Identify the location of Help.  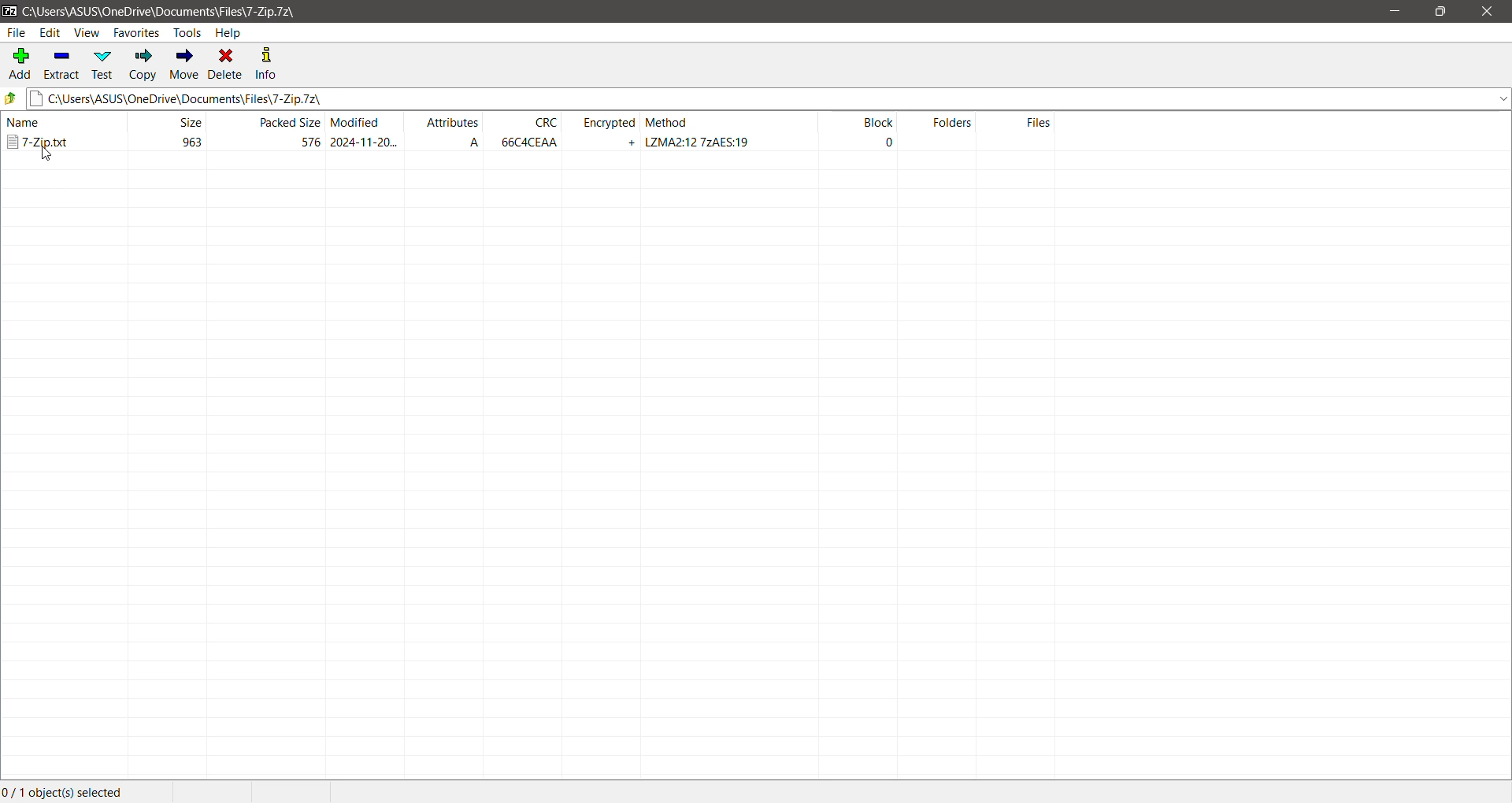
(228, 32).